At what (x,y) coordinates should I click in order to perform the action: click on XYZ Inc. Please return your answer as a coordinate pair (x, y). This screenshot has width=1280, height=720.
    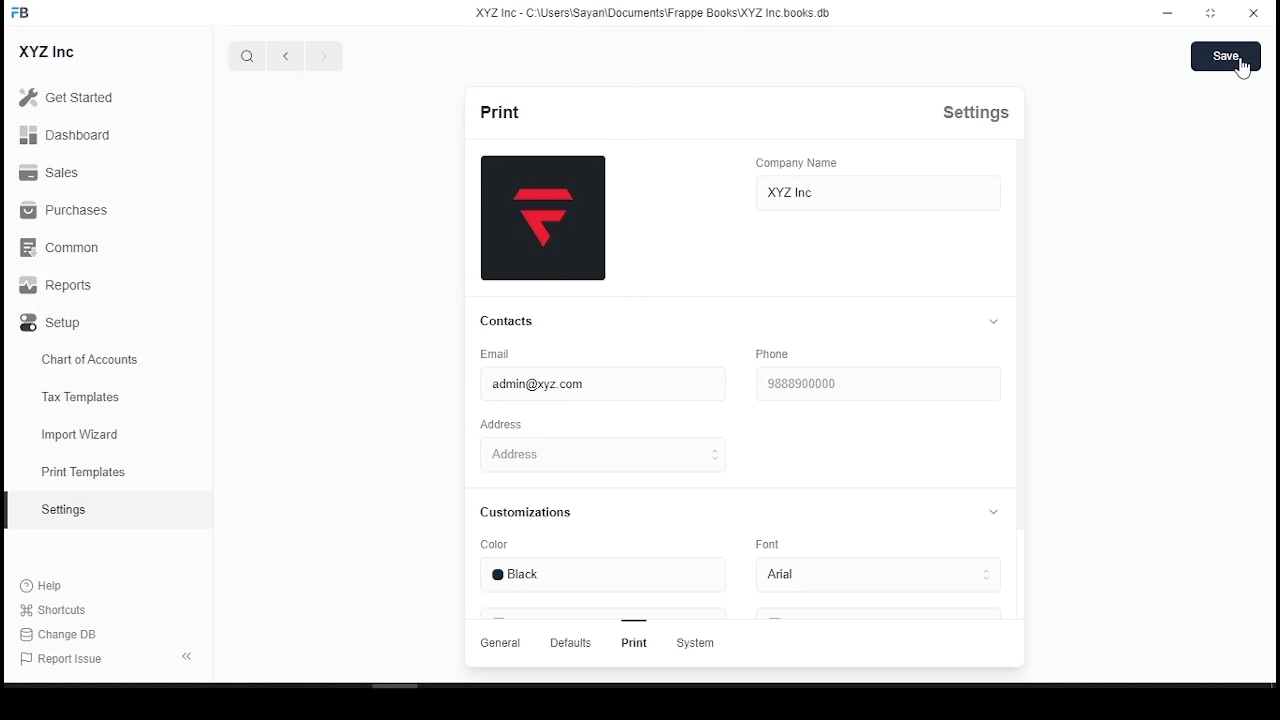
    Looking at the image, I should click on (48, 52).